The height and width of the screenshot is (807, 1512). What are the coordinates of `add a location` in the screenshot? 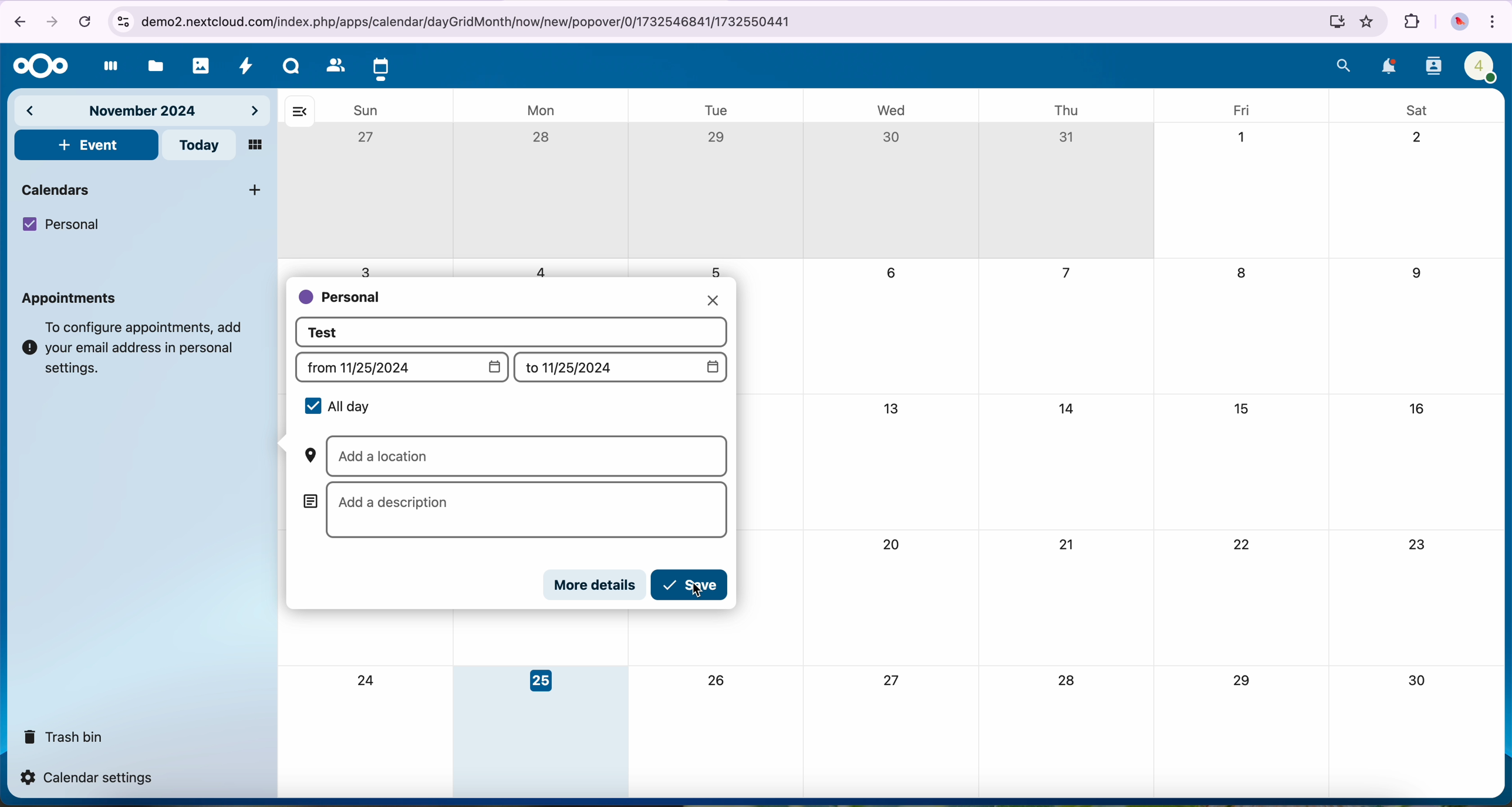 It's located at (512, 457).